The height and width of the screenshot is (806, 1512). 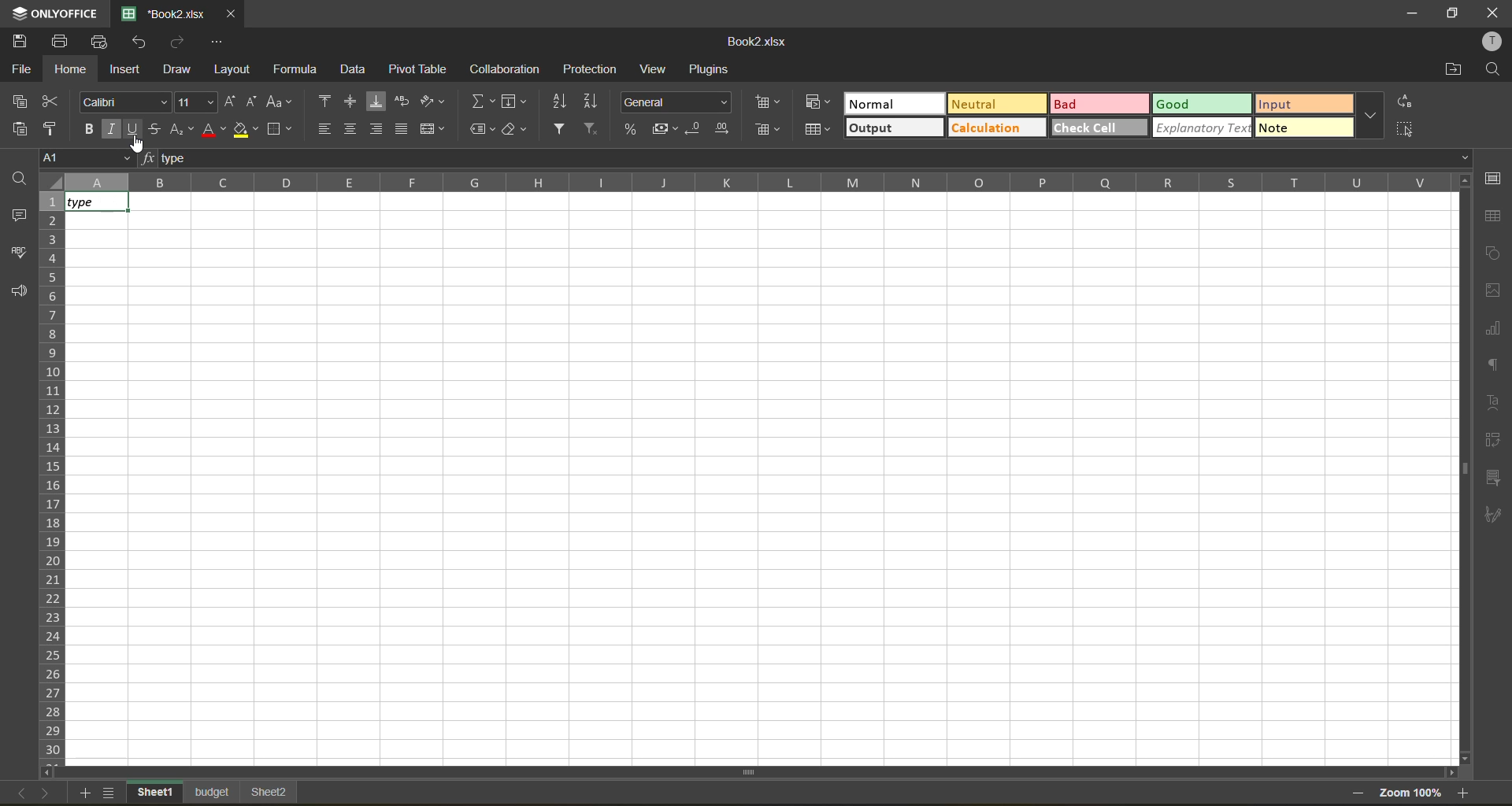 I want to click on align middle, so click(x=350, y=128).